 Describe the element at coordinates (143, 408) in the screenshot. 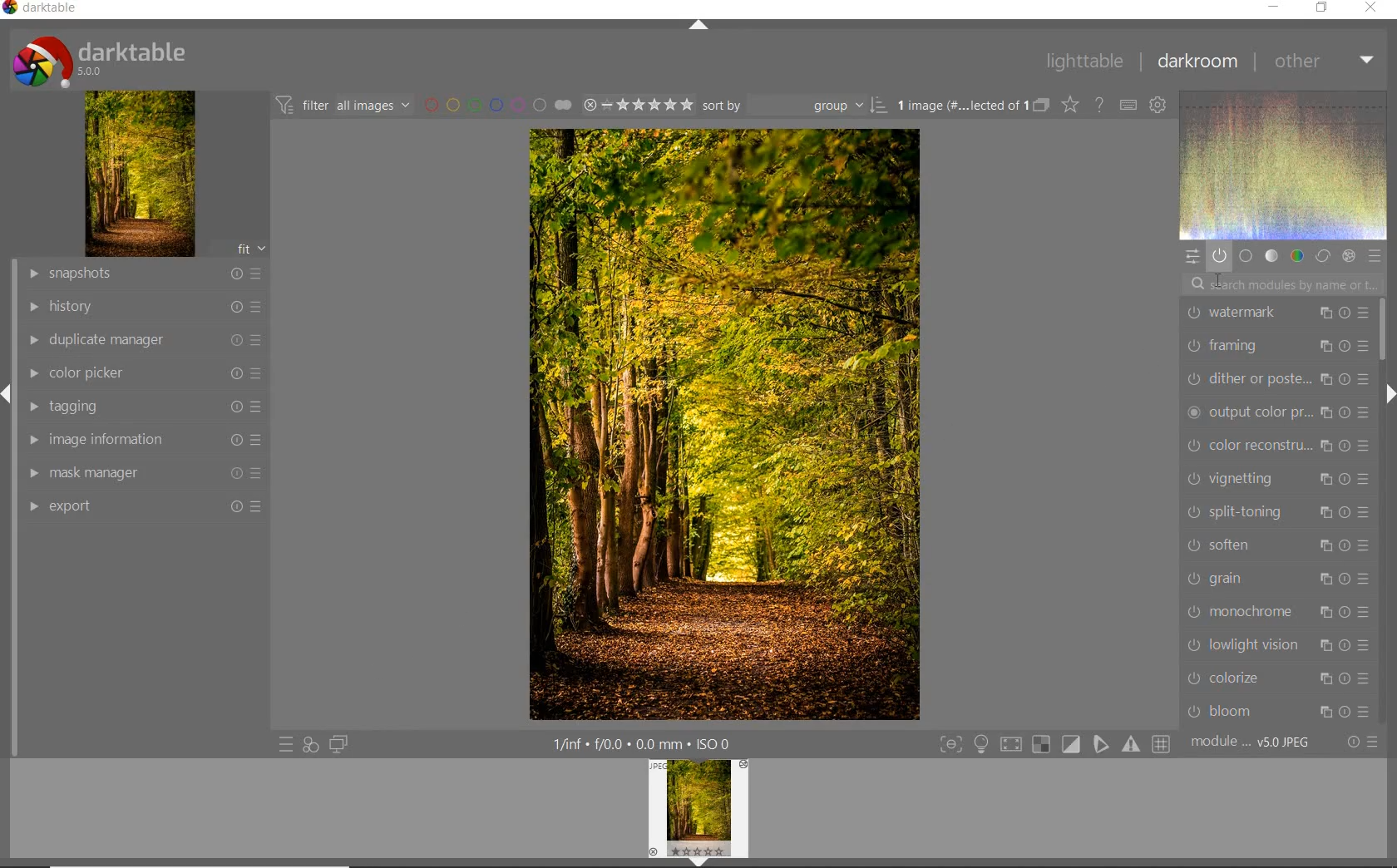

I see `tagging` at that location.